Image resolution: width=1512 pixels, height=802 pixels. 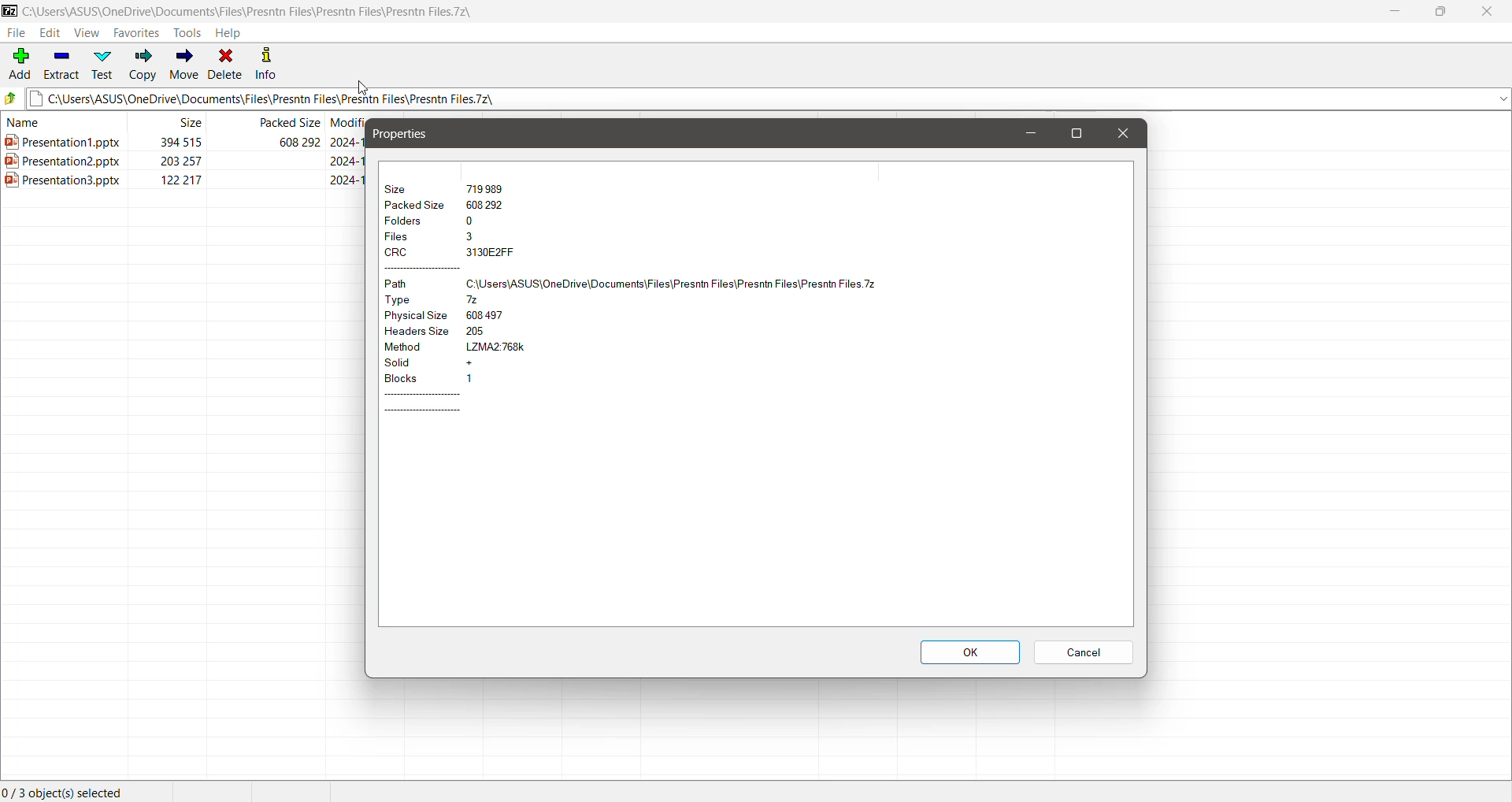 What do you see at coordinates (289, 124) in the screenshot?
I see `Packed Size` at bounding box center [289, 124].